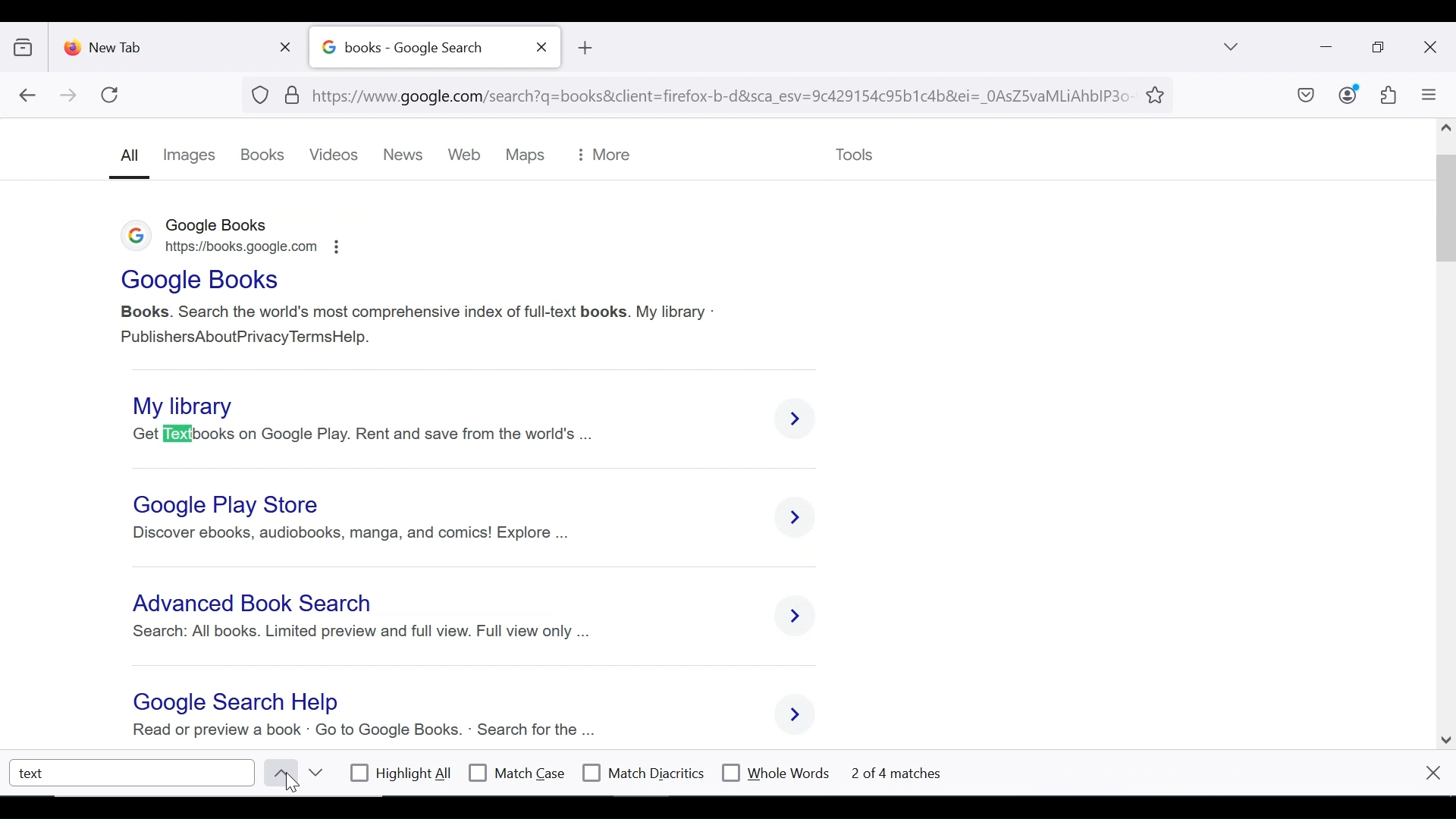 This screenshot has height=819, width=1456. What do you see at coordinates (336, 155) in the screenshot?
I see `videos` at bounding box center [336, 155].